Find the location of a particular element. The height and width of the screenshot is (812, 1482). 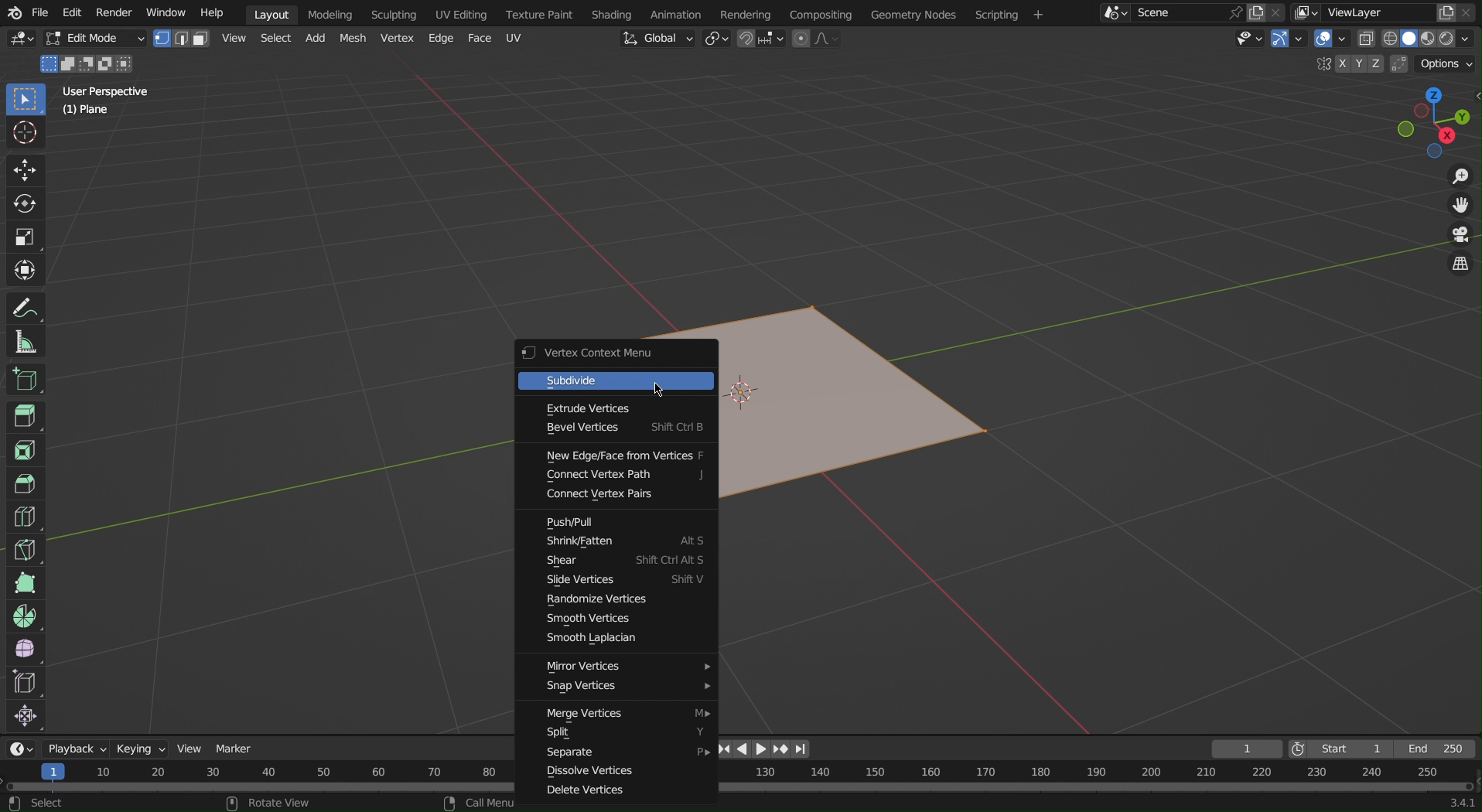

Mode is located at coordinates (87, 64).